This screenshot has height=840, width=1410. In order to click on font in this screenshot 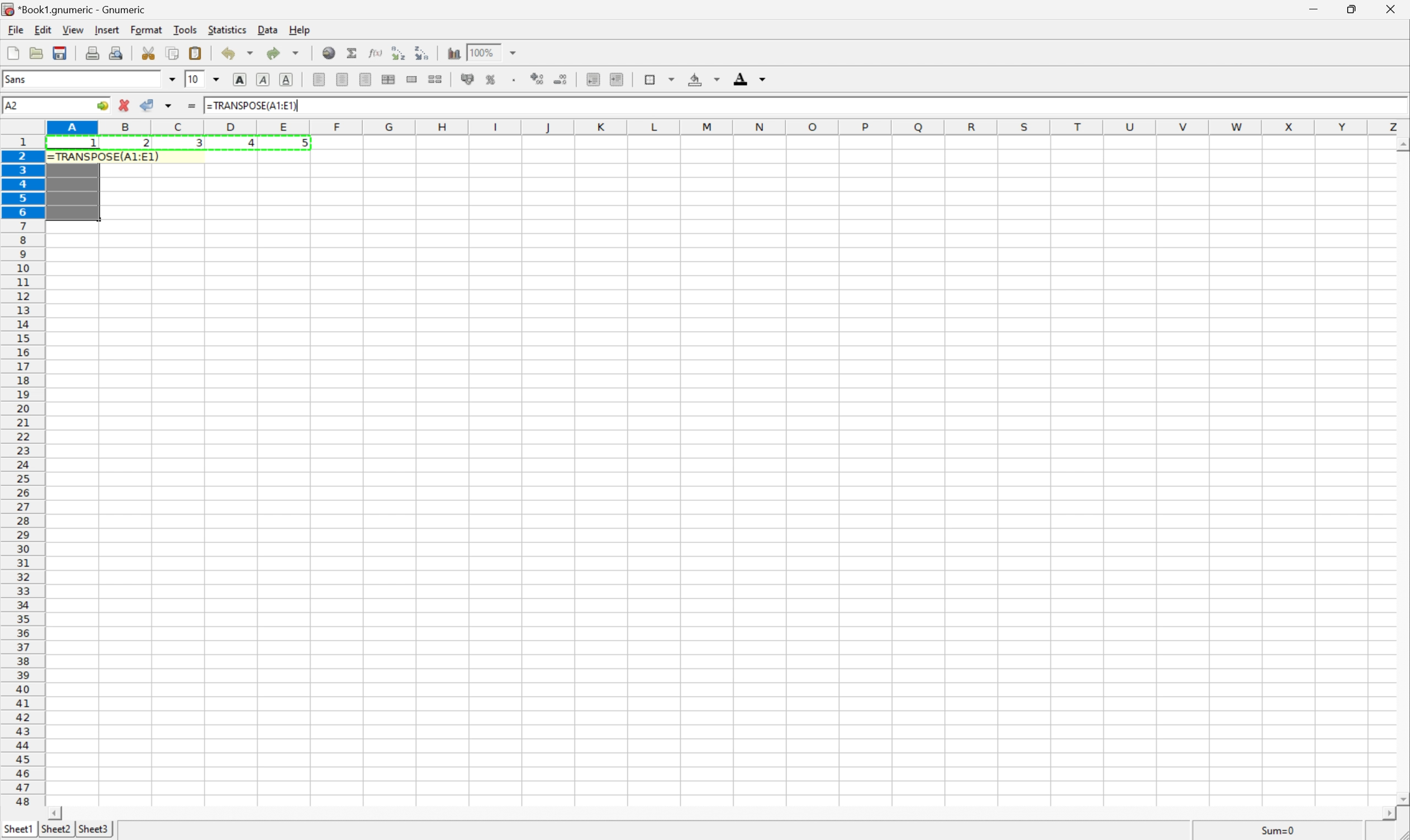, I will do `click(20, 81)`.